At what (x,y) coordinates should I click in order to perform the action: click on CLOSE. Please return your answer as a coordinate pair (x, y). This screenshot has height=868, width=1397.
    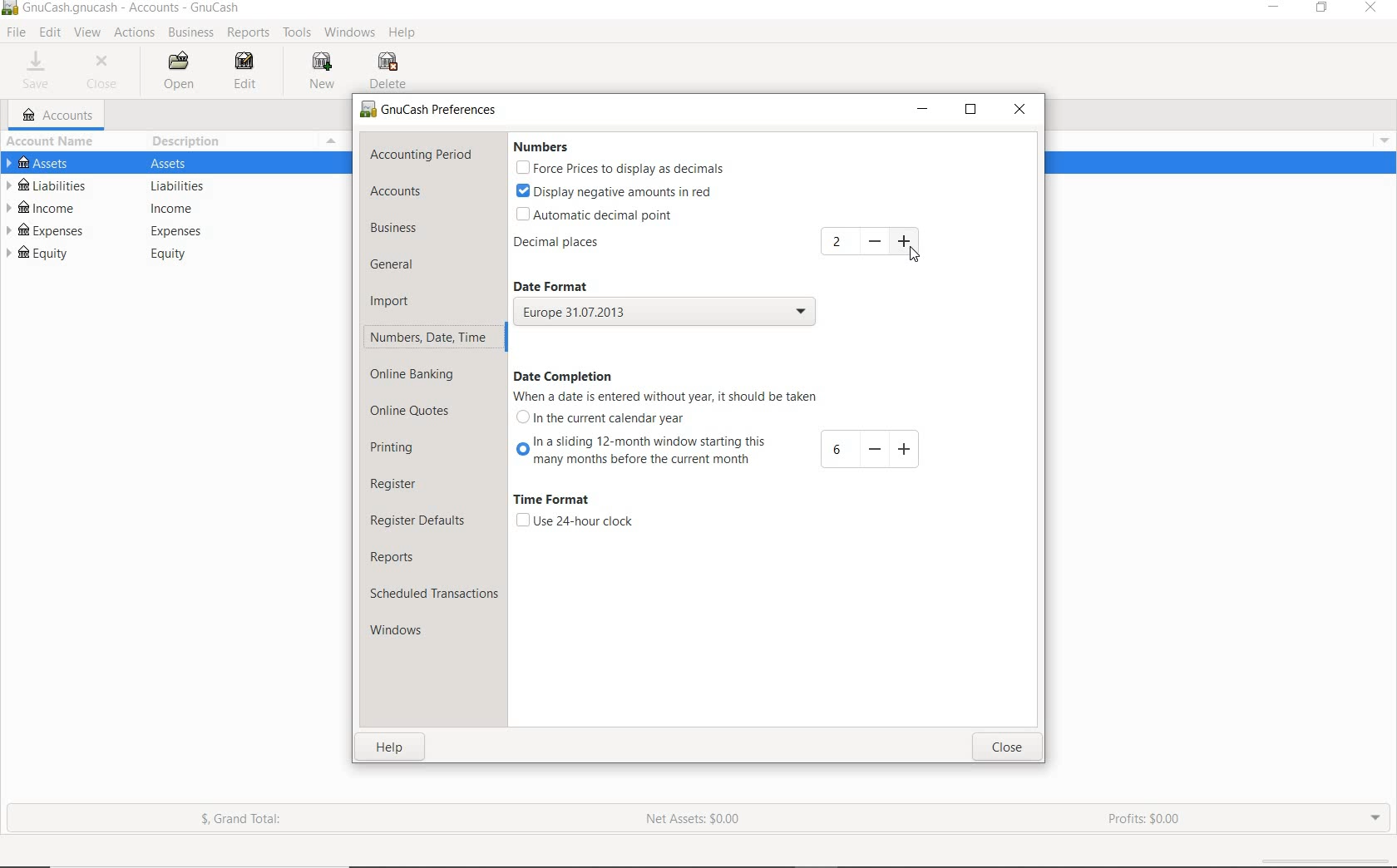
    Looking at the image, I should click on (106, 72).